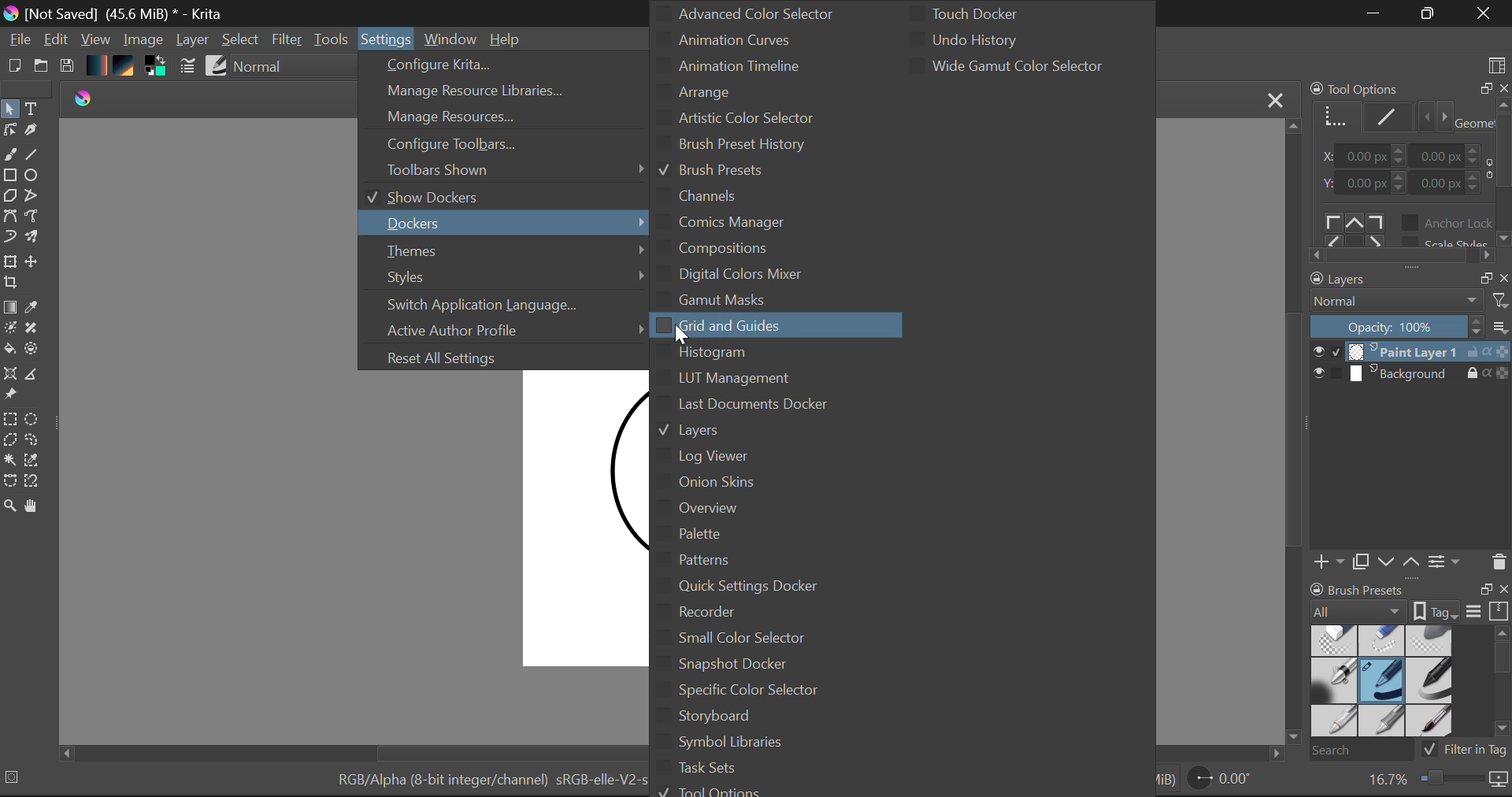  Describe the element at coordinates (34, 154) in the screenshot. I see `Line` at that location.